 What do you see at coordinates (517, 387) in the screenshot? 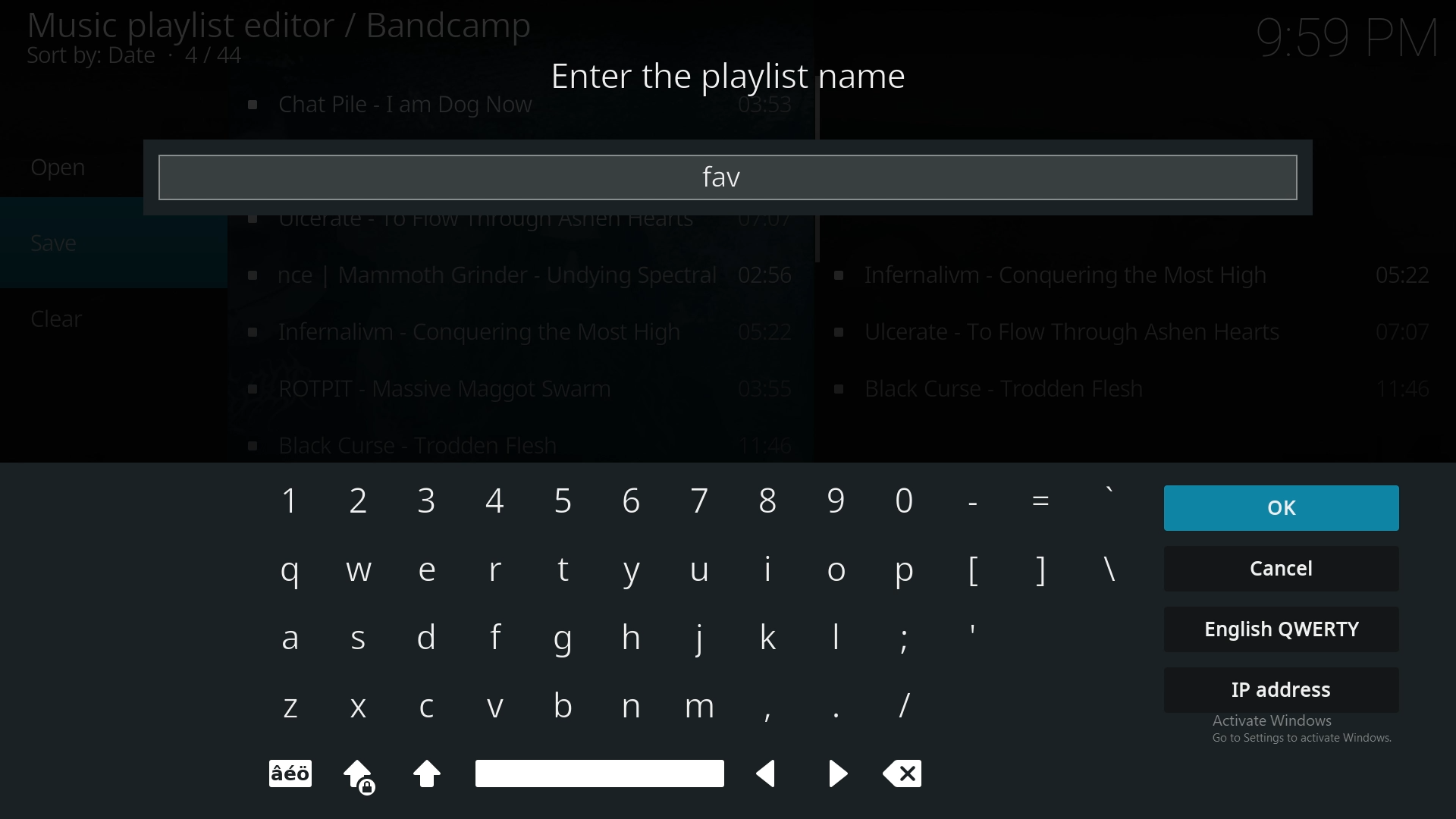
I see `music` at bounding box center [517, 387].